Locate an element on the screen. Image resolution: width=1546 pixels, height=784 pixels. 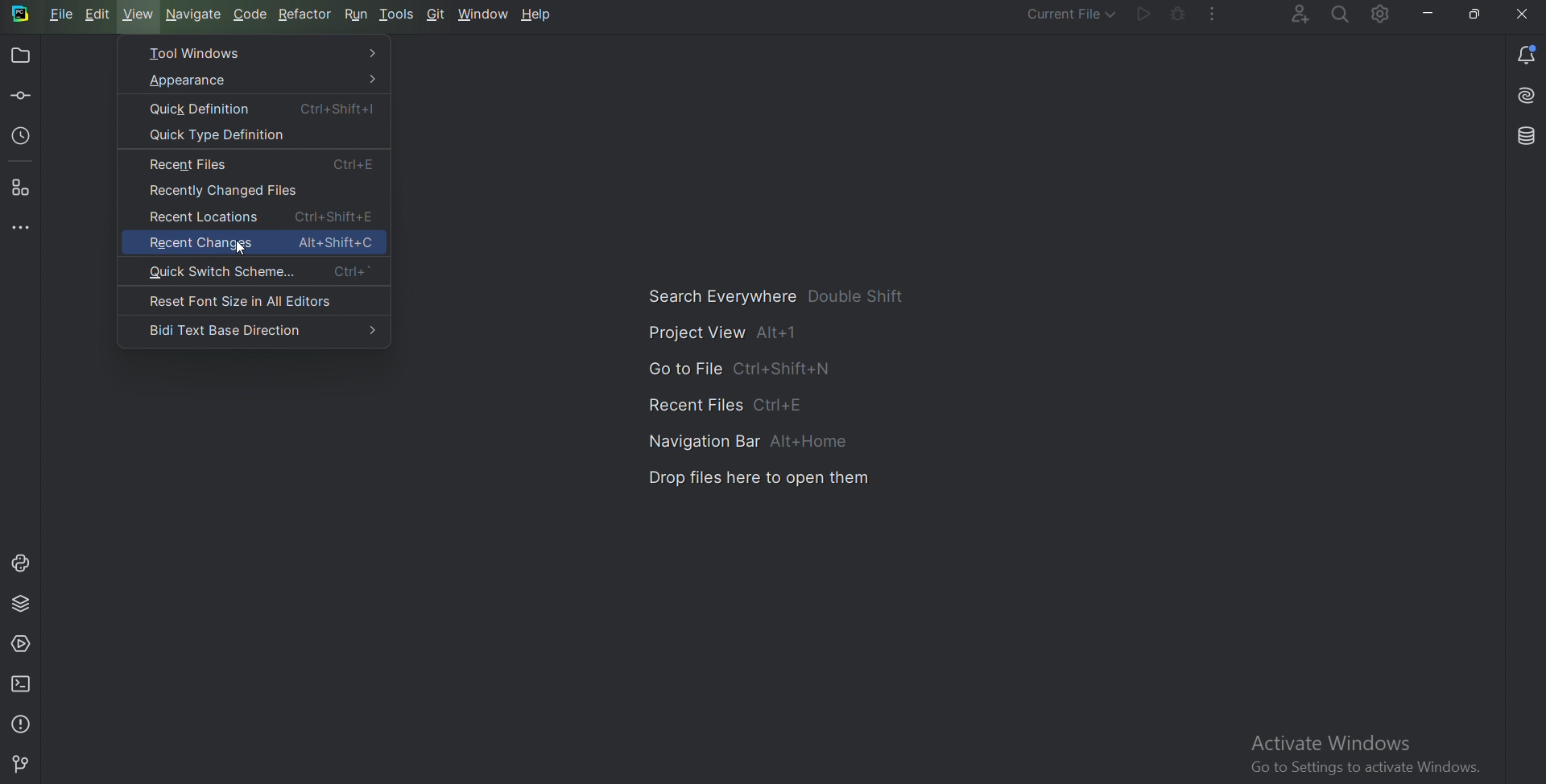
Recent files is located at coordinates (714, 402).